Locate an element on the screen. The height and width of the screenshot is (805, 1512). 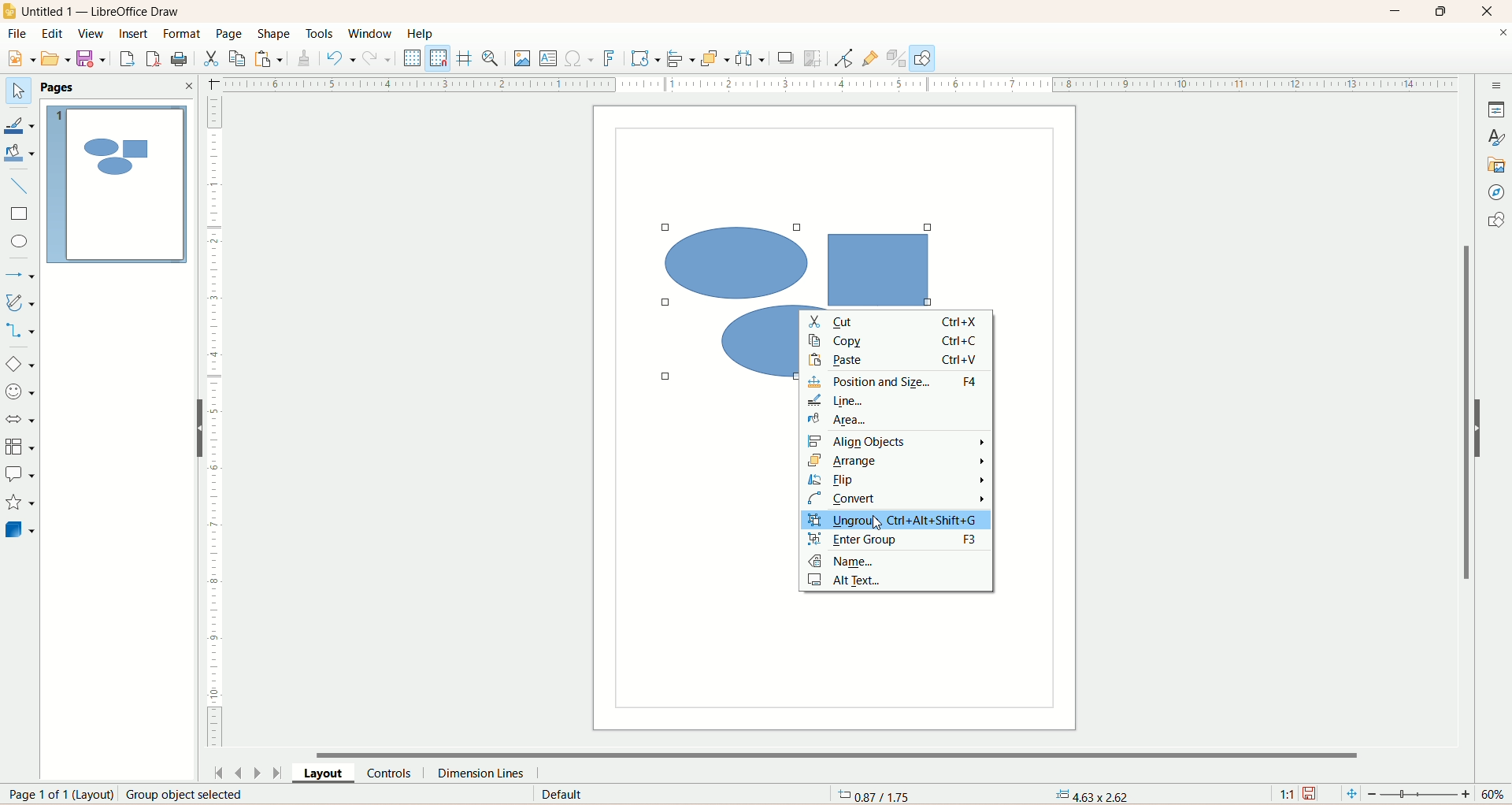
anchor point is located at coordinates (1088, 795).